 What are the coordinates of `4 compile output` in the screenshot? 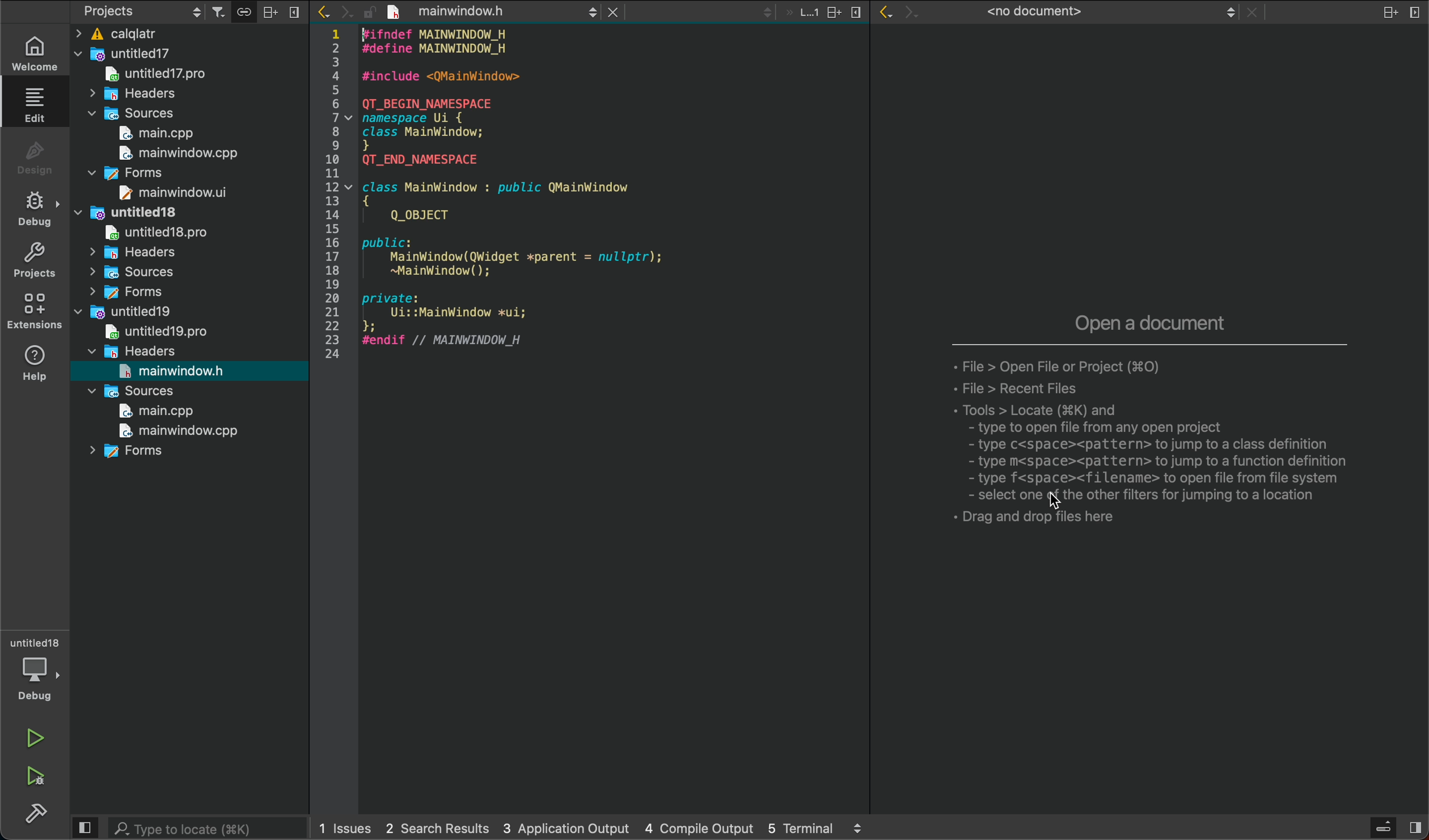 It's located at (695, 827).